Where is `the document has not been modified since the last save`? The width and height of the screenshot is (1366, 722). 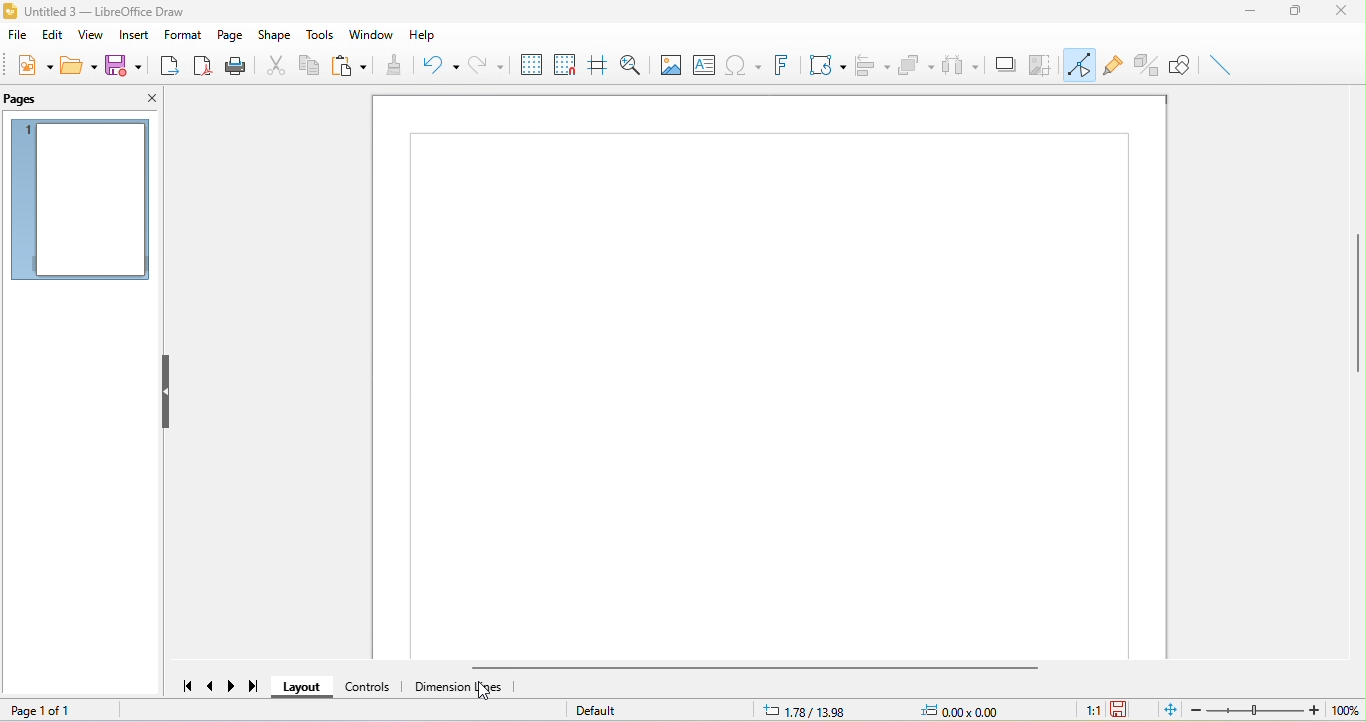 the document has not been modified since the last save is located at coordinates (1127, 710).